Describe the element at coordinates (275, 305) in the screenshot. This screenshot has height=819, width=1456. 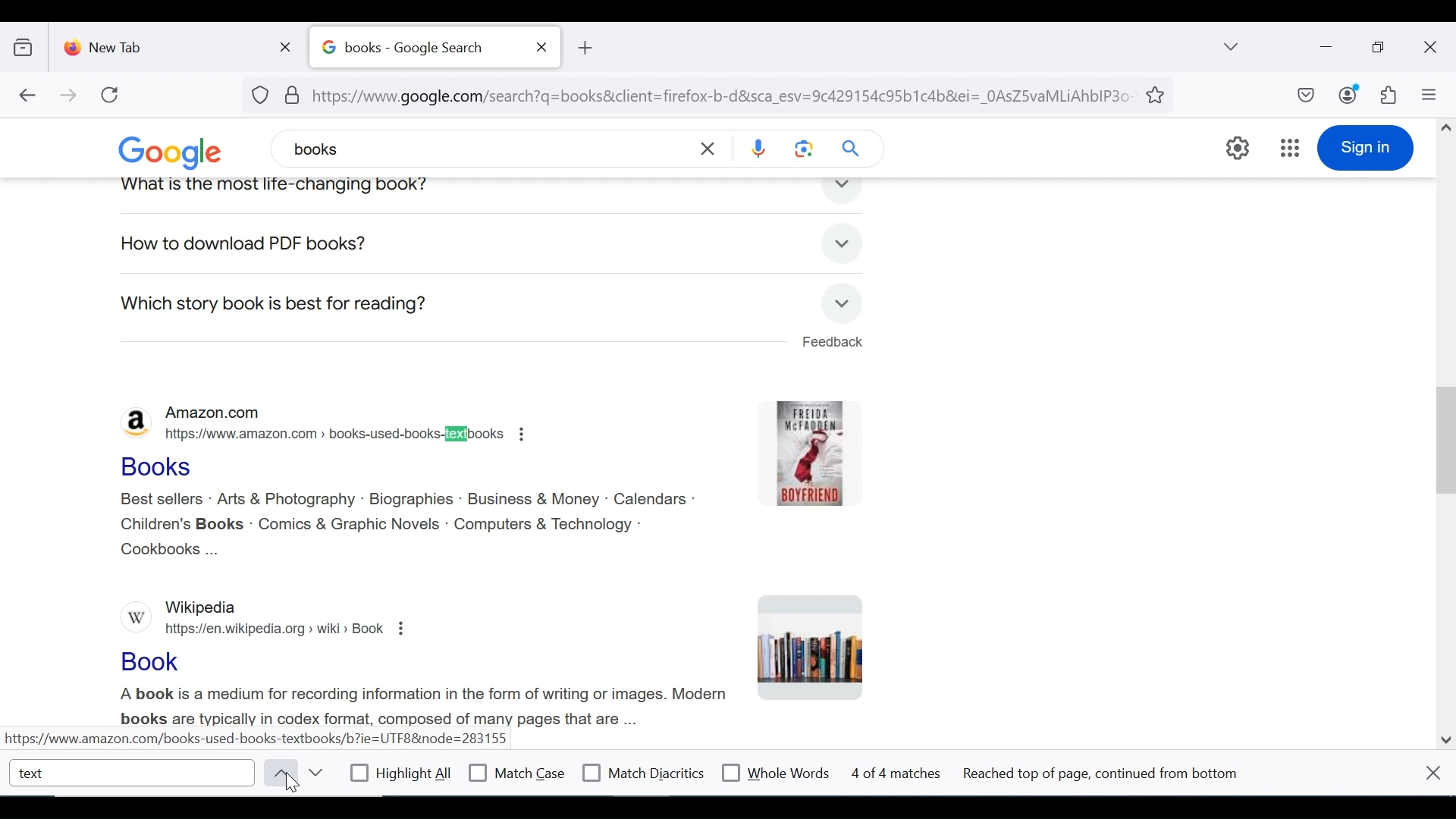
I see `which story book is best for reading` at that location.